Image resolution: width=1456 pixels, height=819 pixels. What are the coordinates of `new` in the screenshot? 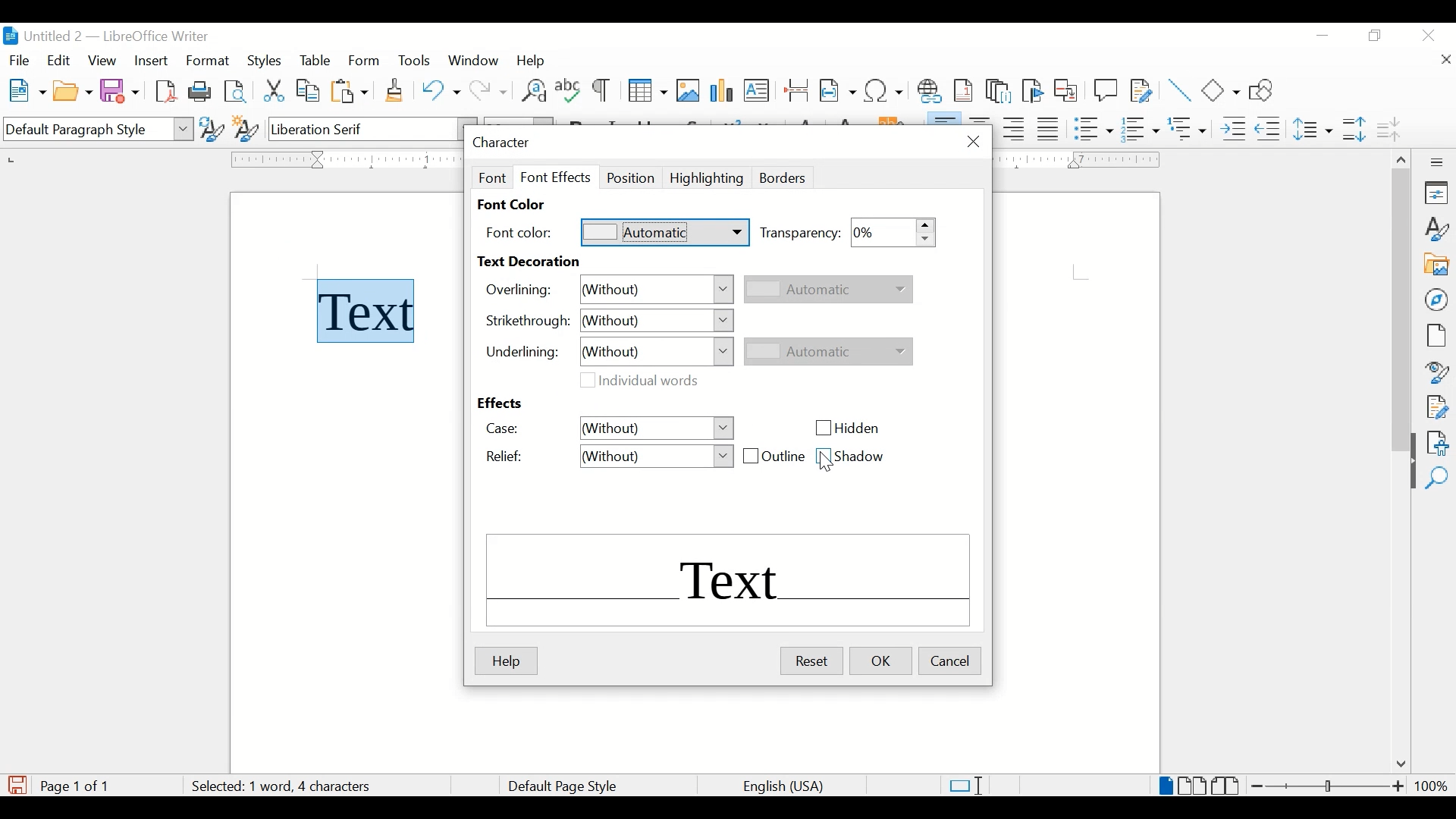 It's located at (28, 90).